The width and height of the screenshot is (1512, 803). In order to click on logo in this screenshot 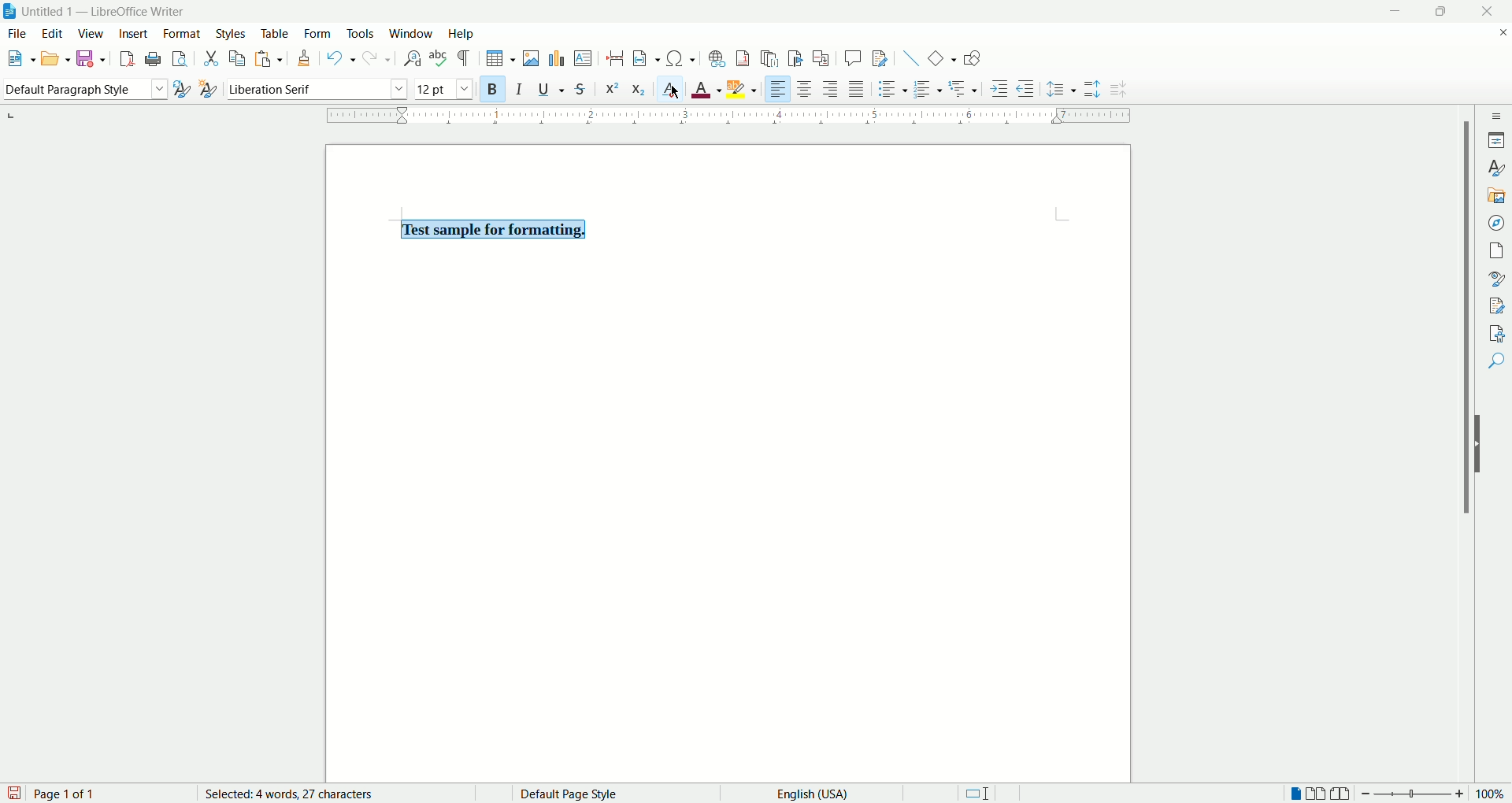, I will do `click(9, 11)`.